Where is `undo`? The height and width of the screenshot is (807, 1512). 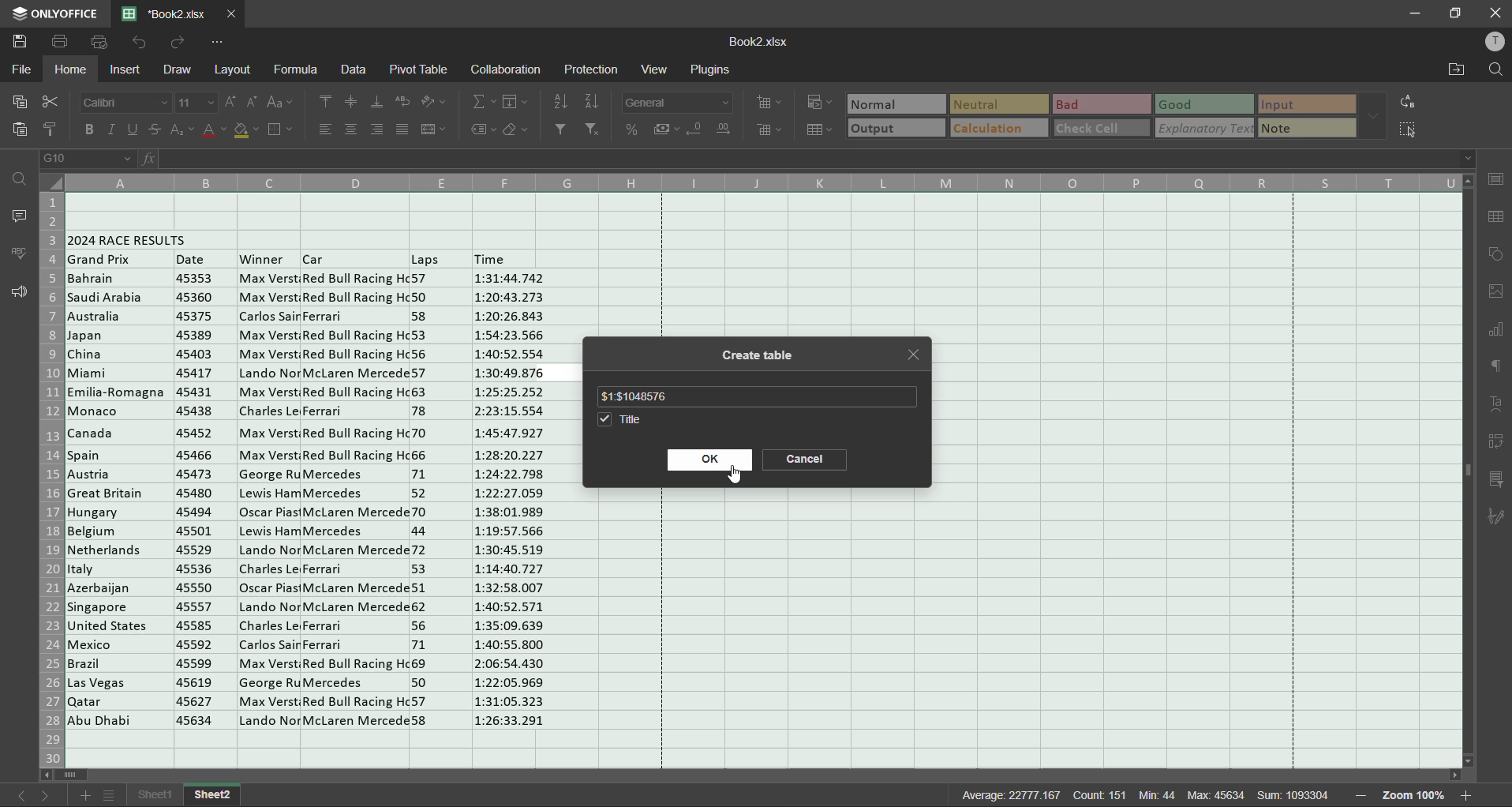
undo is located at coordinates (138, 44).